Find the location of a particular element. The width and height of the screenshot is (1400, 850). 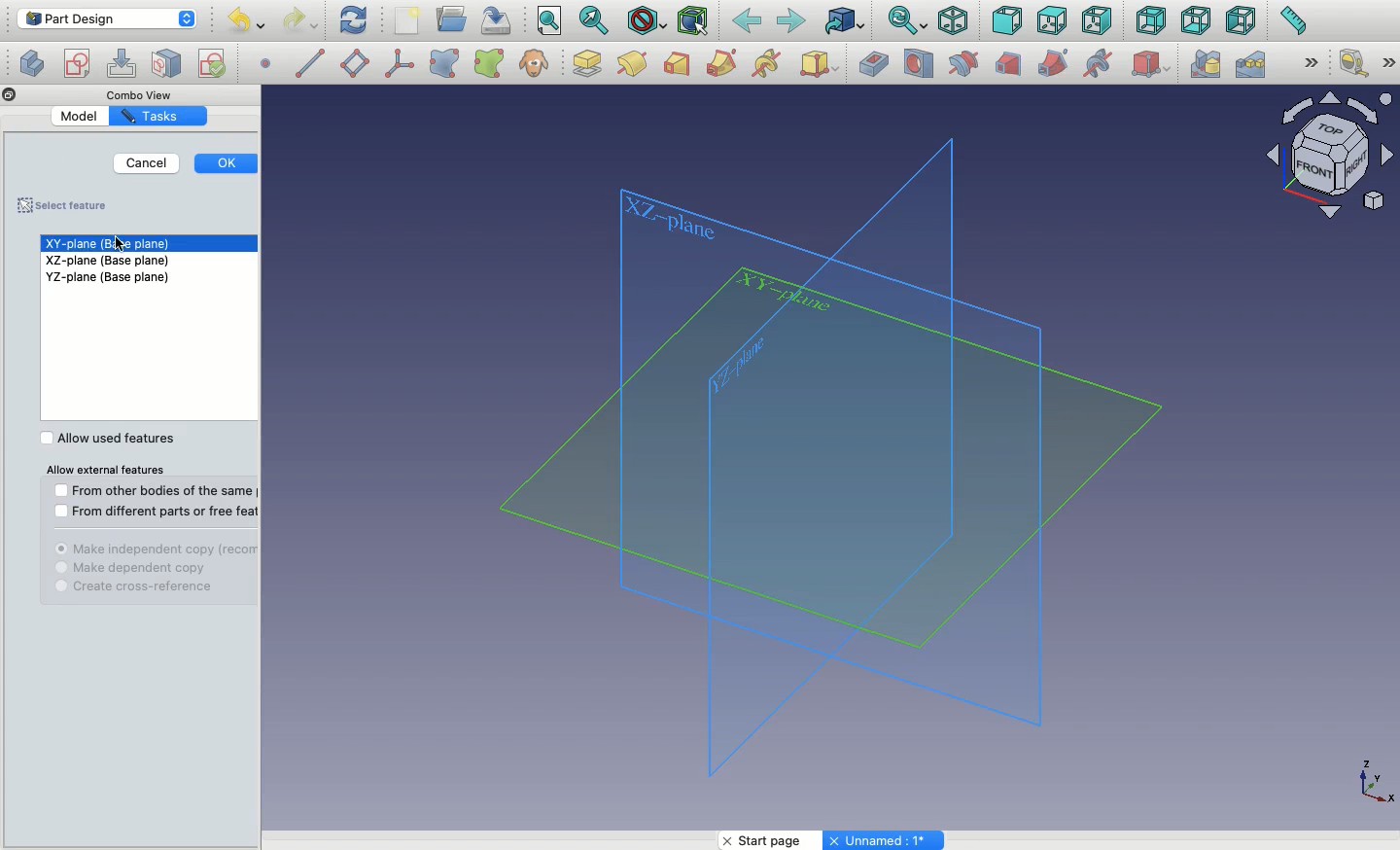

Validate sketch is located at coordinates (211, 60).